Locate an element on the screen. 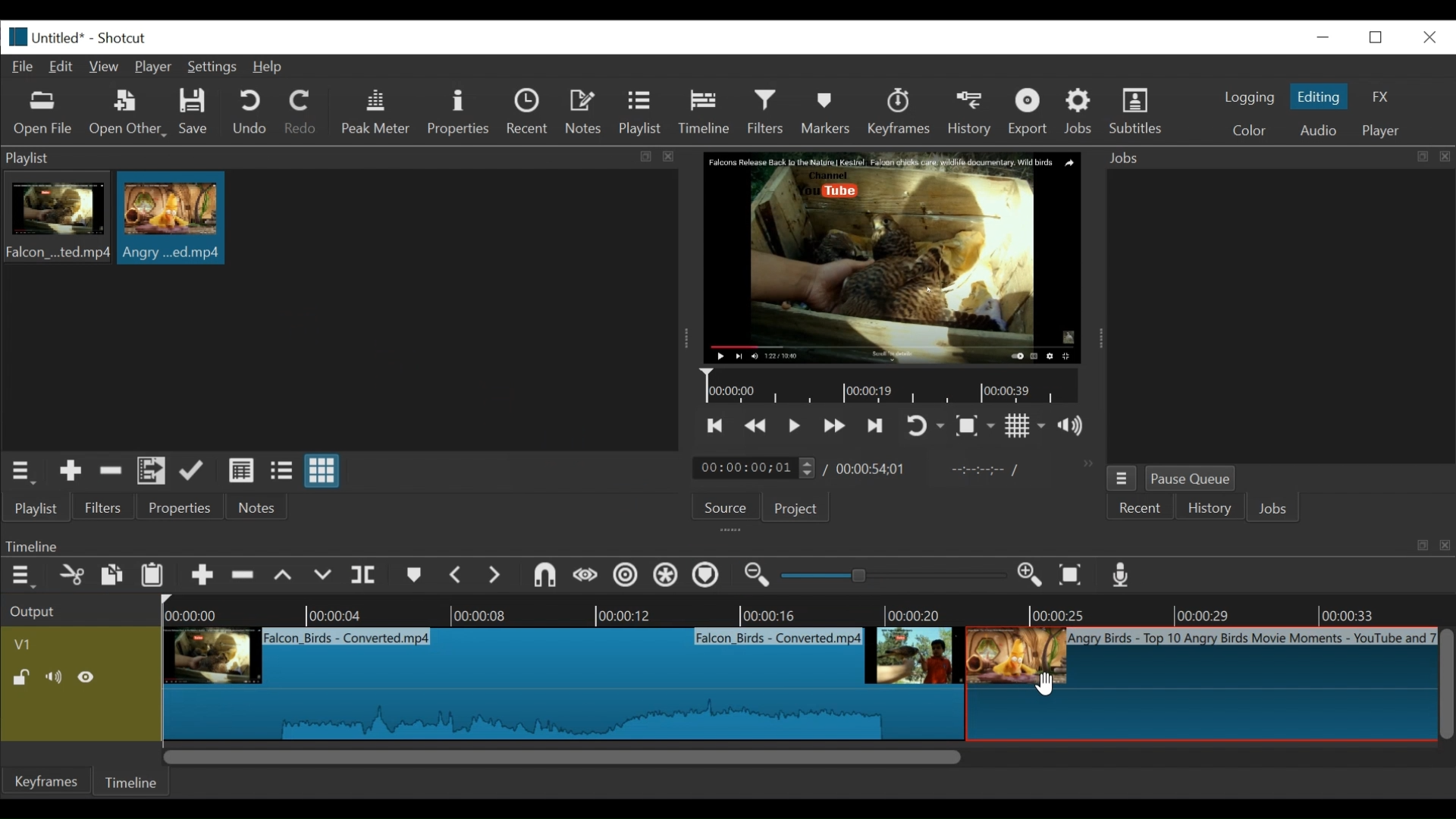 This screenshot has width=1456, height=819. overwrite is located at coordinates (325, 576).